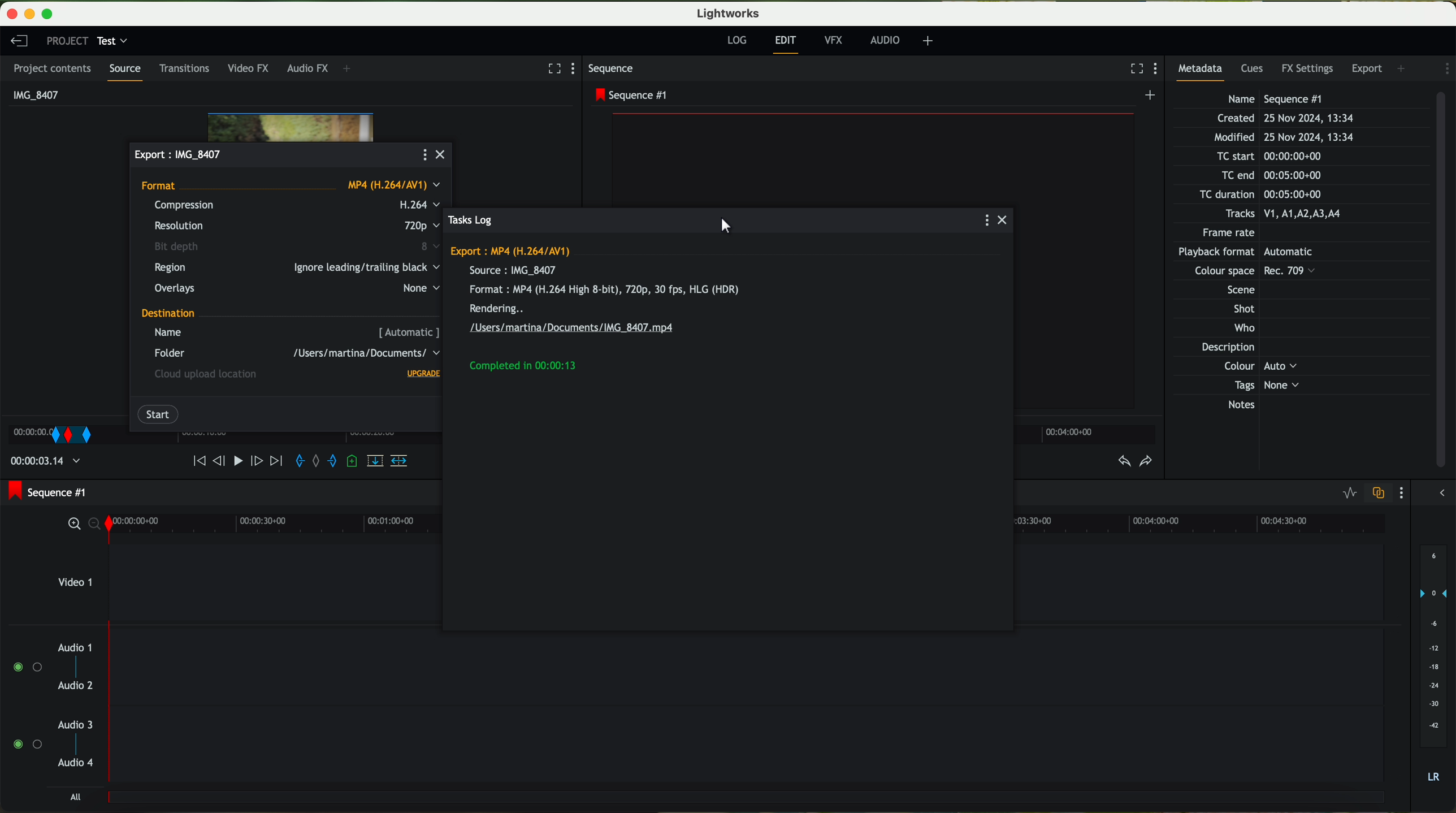  I want to click on FX settings, so click(1308, 67).